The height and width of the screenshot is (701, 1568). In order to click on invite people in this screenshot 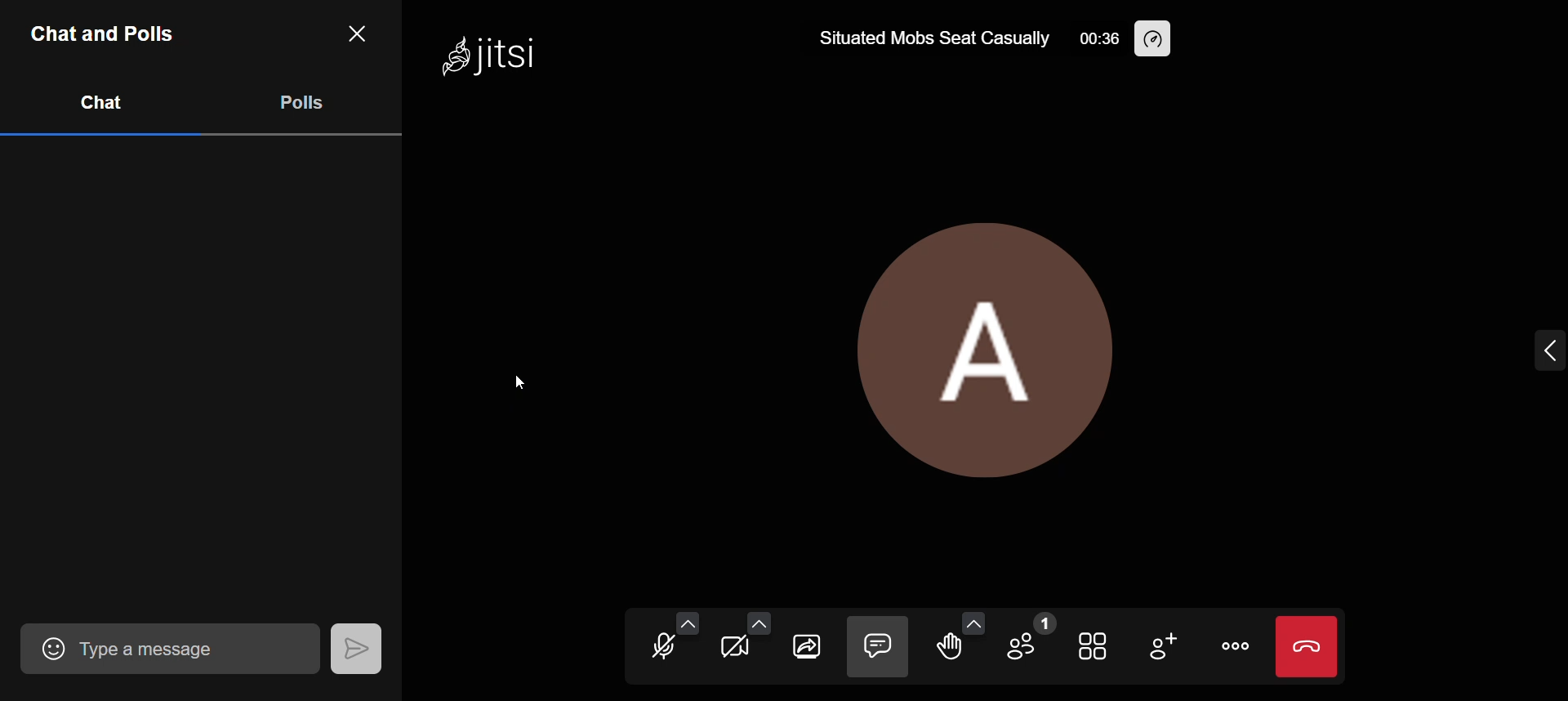, I will do `click(1160, 642)`.